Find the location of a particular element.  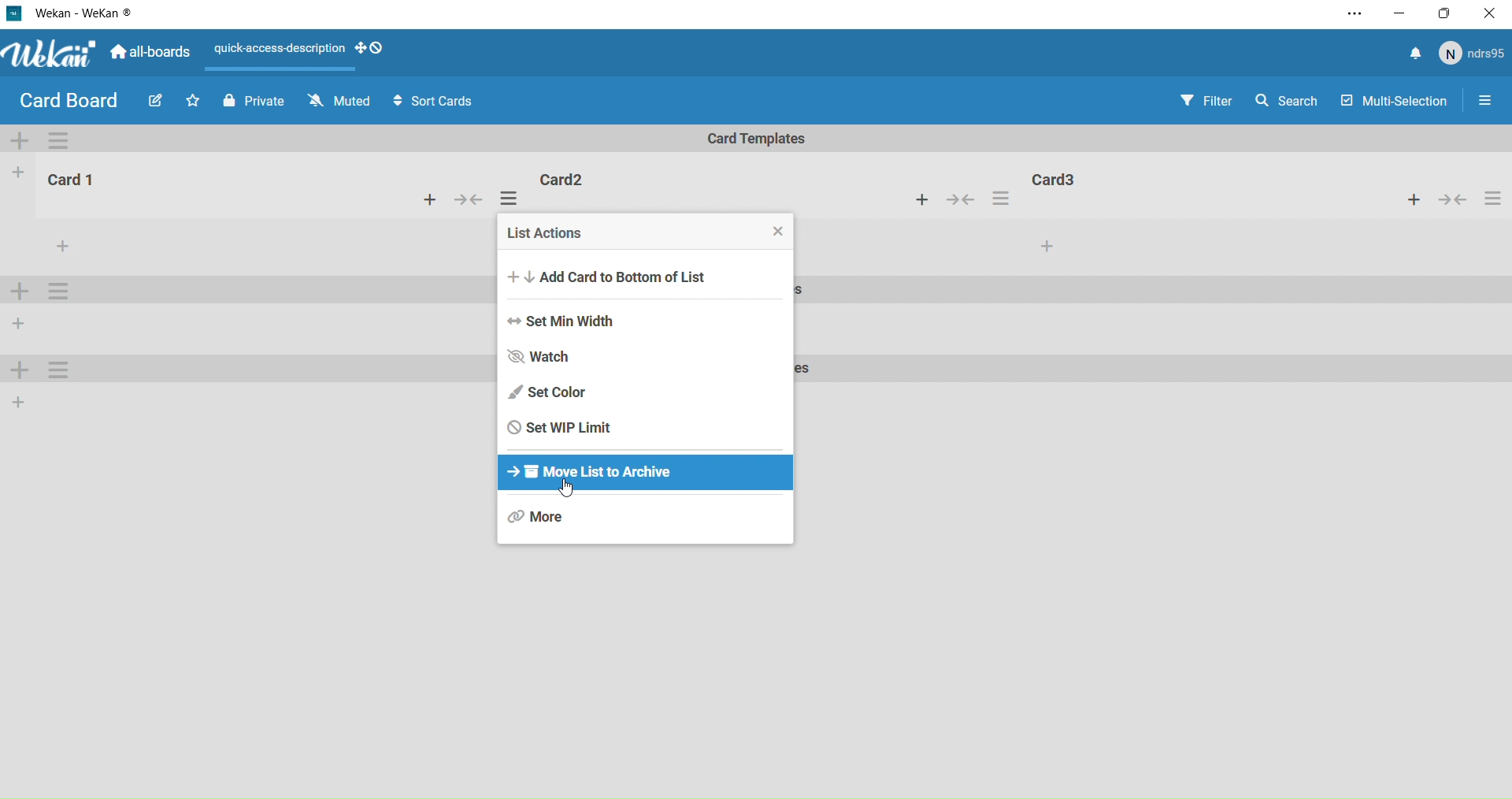

add is located at coordinates (21, 324).